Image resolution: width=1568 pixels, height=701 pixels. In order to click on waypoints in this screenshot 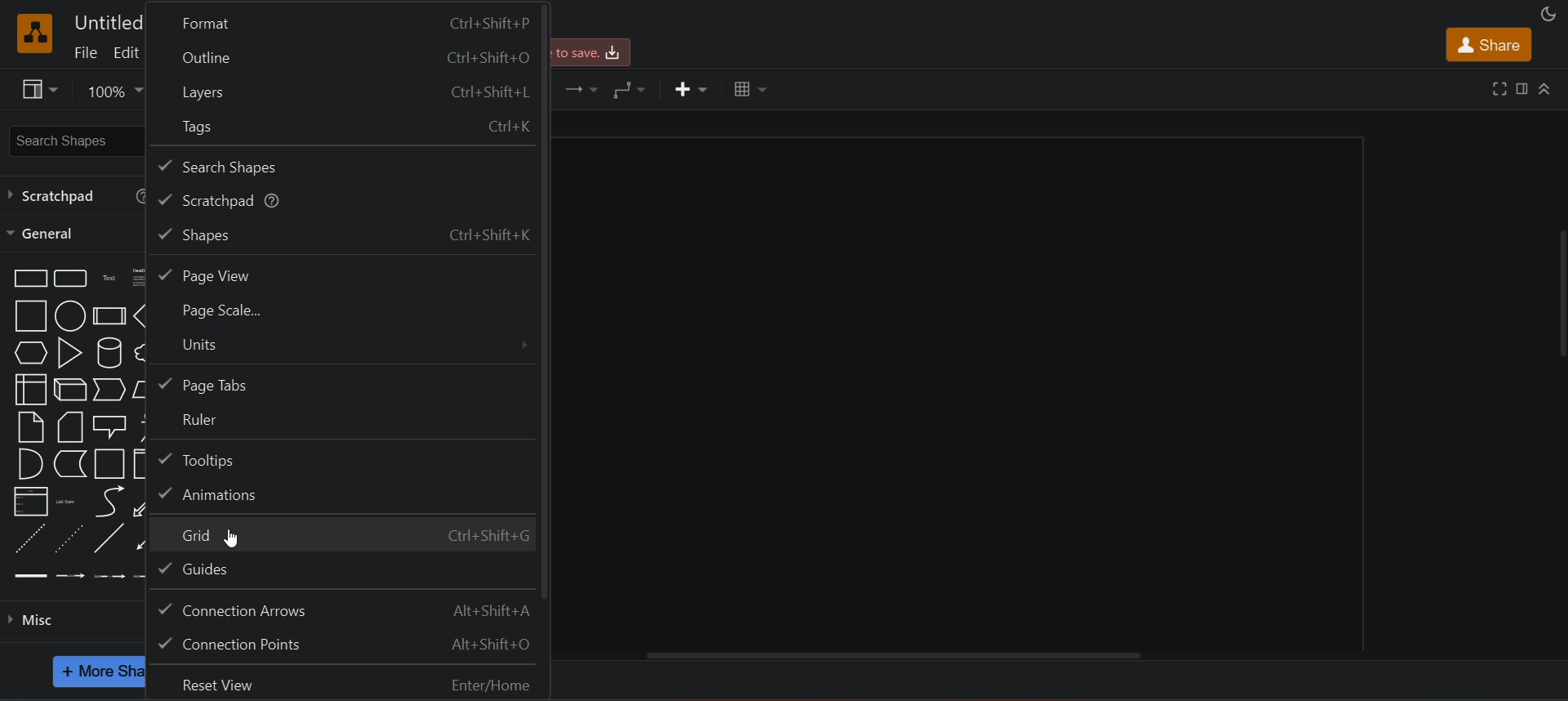, I will do `click(628, 89)`.